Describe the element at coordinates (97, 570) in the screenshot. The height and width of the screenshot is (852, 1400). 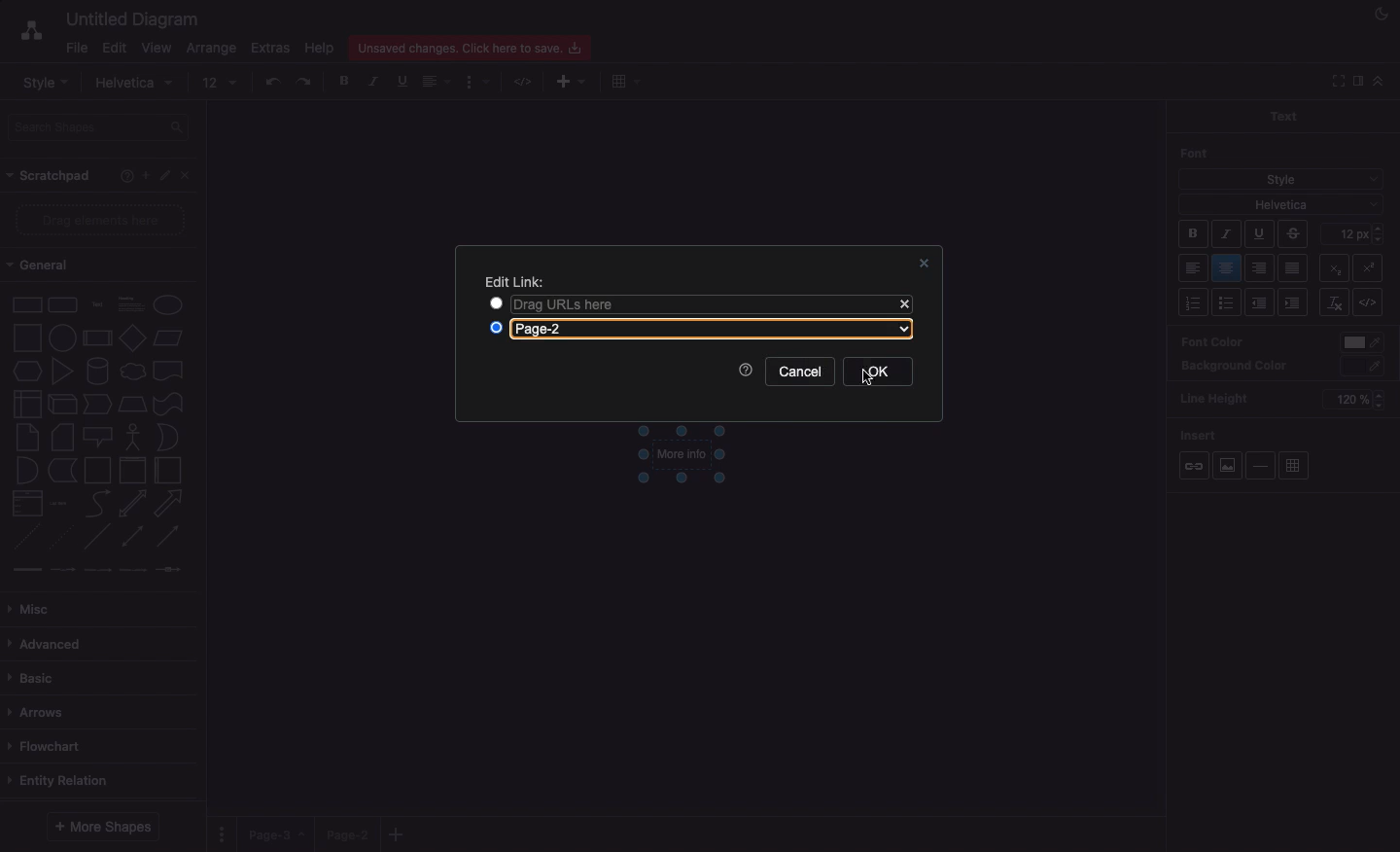
I see `connector with 2 labels` at that location.